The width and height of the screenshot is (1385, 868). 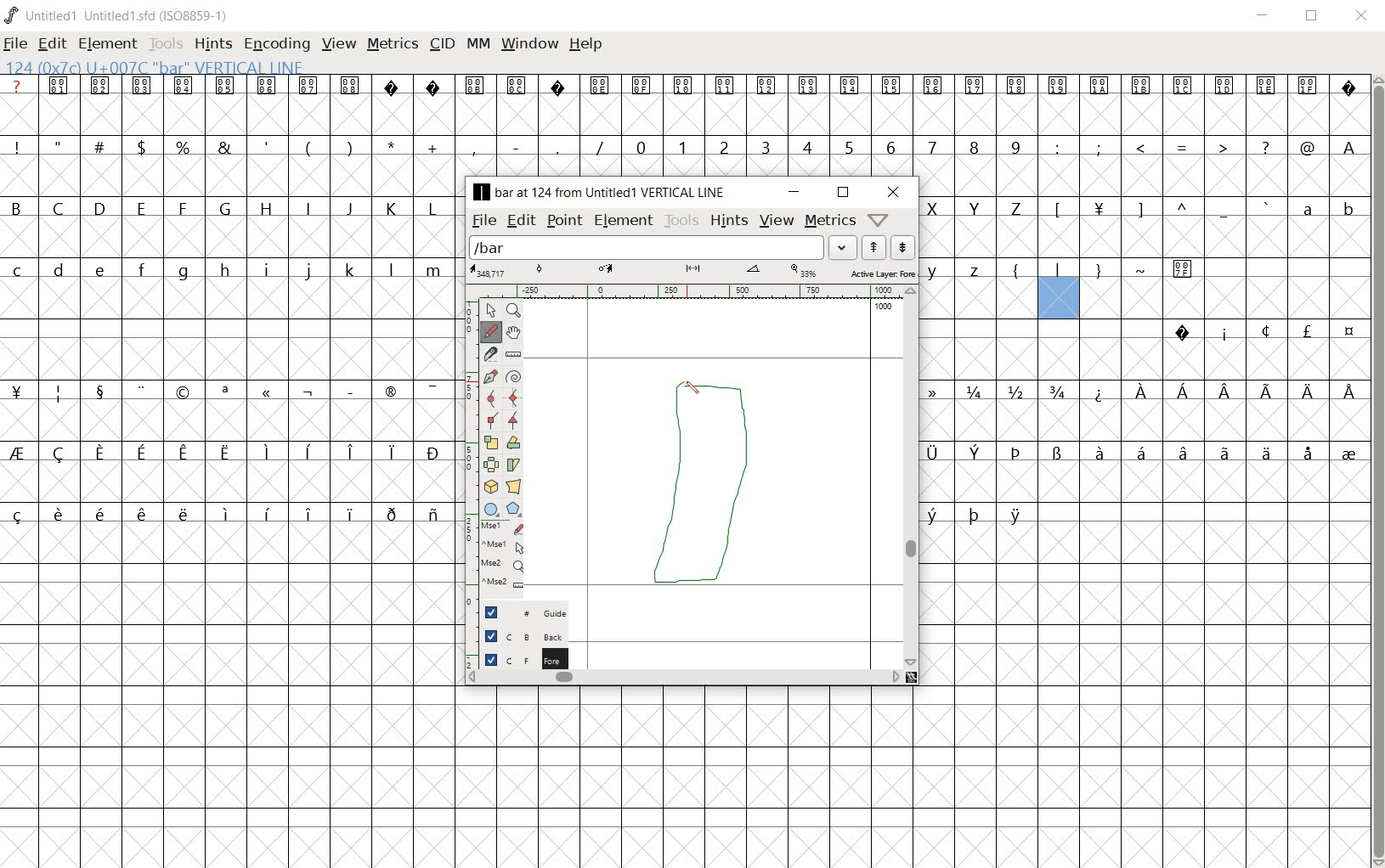 I want to click on file, so click(x=14, y=45).